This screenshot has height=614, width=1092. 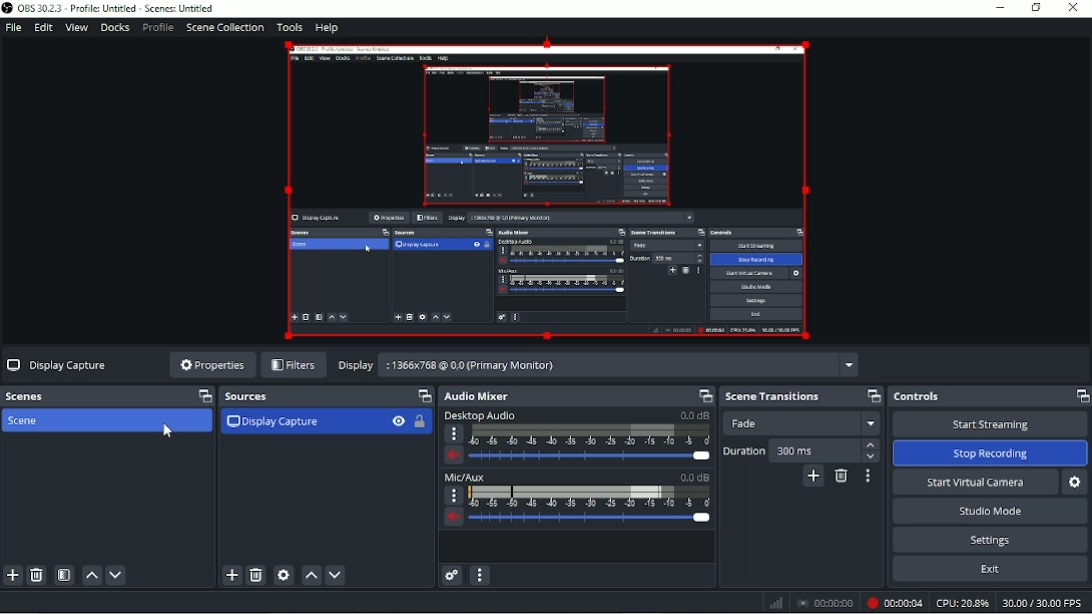 What do you see at coordinates (589, 497) in the screenshot?
I see `Scale` at bounding box center [589, 497].